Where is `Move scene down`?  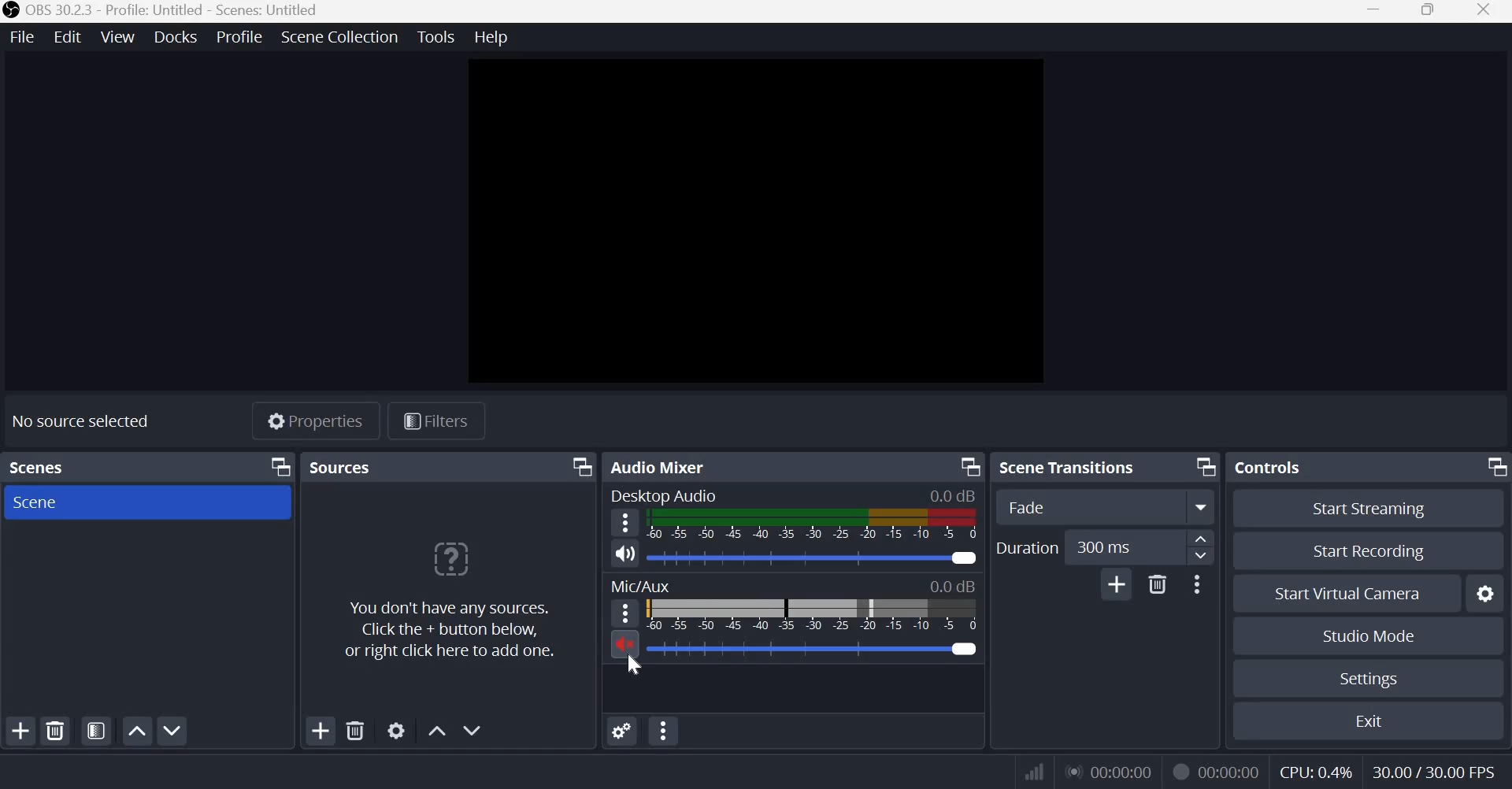 Move scene down is located at coordinates (172, 732).